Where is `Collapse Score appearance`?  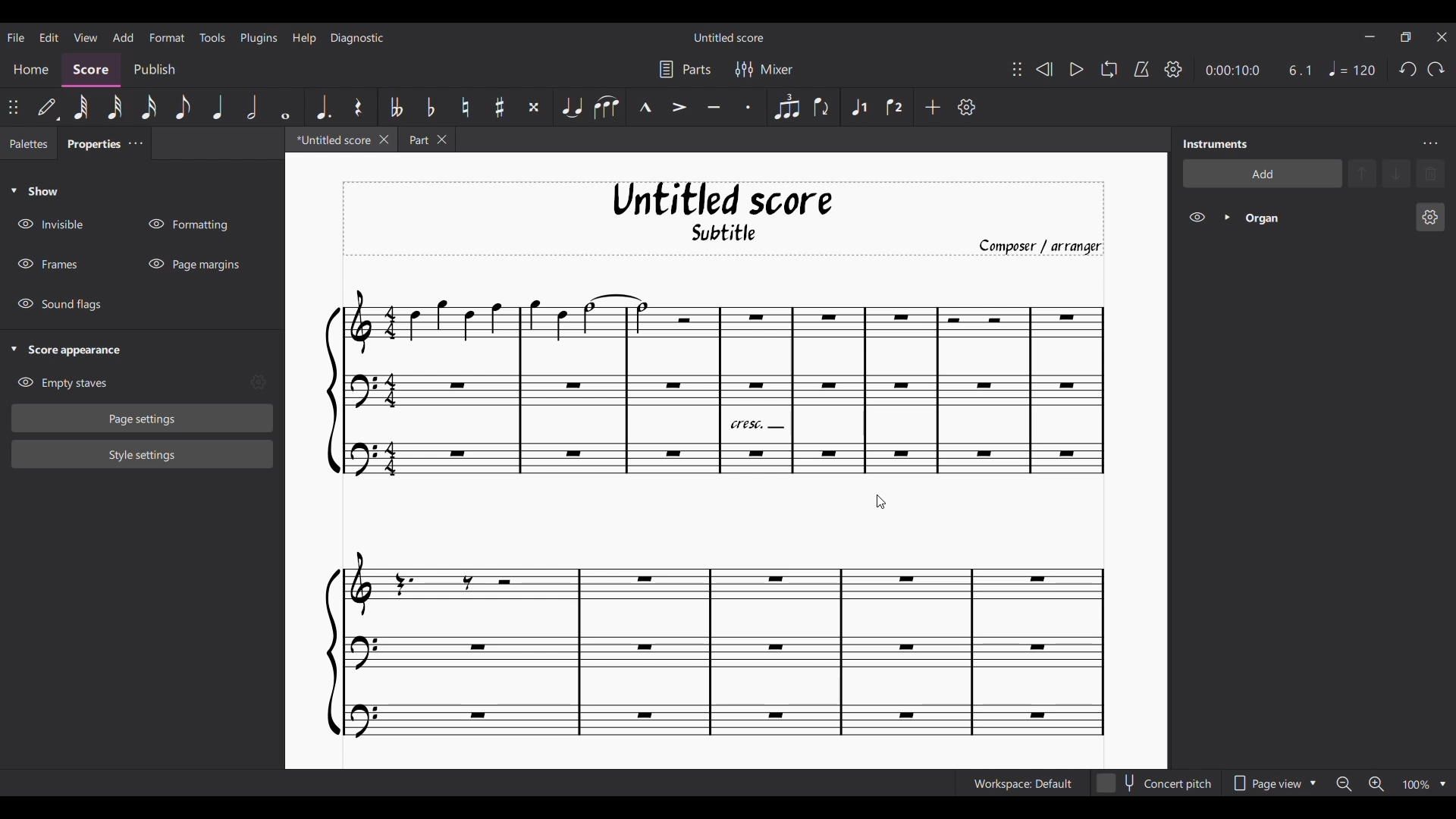 Collapse Score appearance is located at coordinates (67, 351).